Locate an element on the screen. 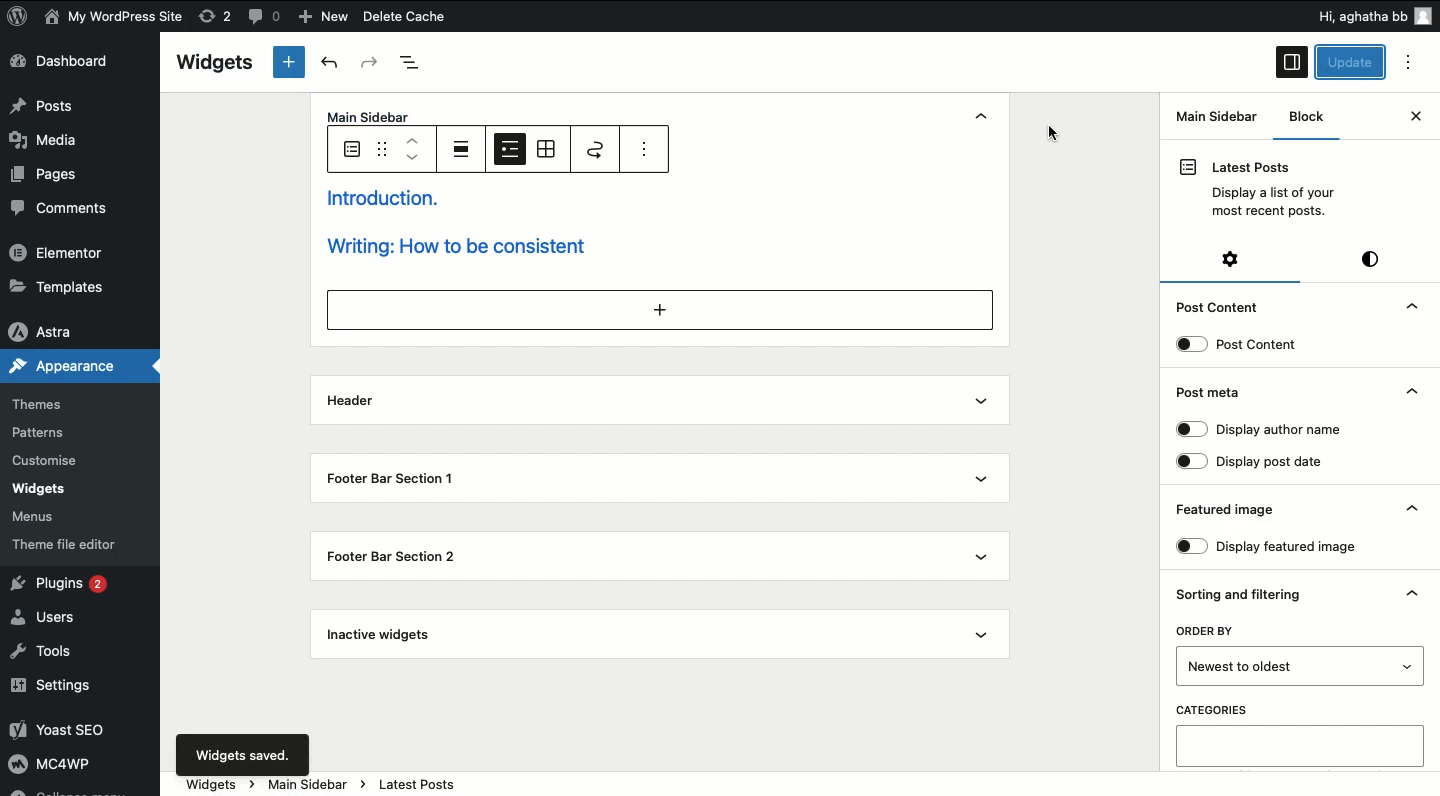 Image resolution: width=1440 pixels, height=796 pixels. Grid view is located at coordinates (549, 148).